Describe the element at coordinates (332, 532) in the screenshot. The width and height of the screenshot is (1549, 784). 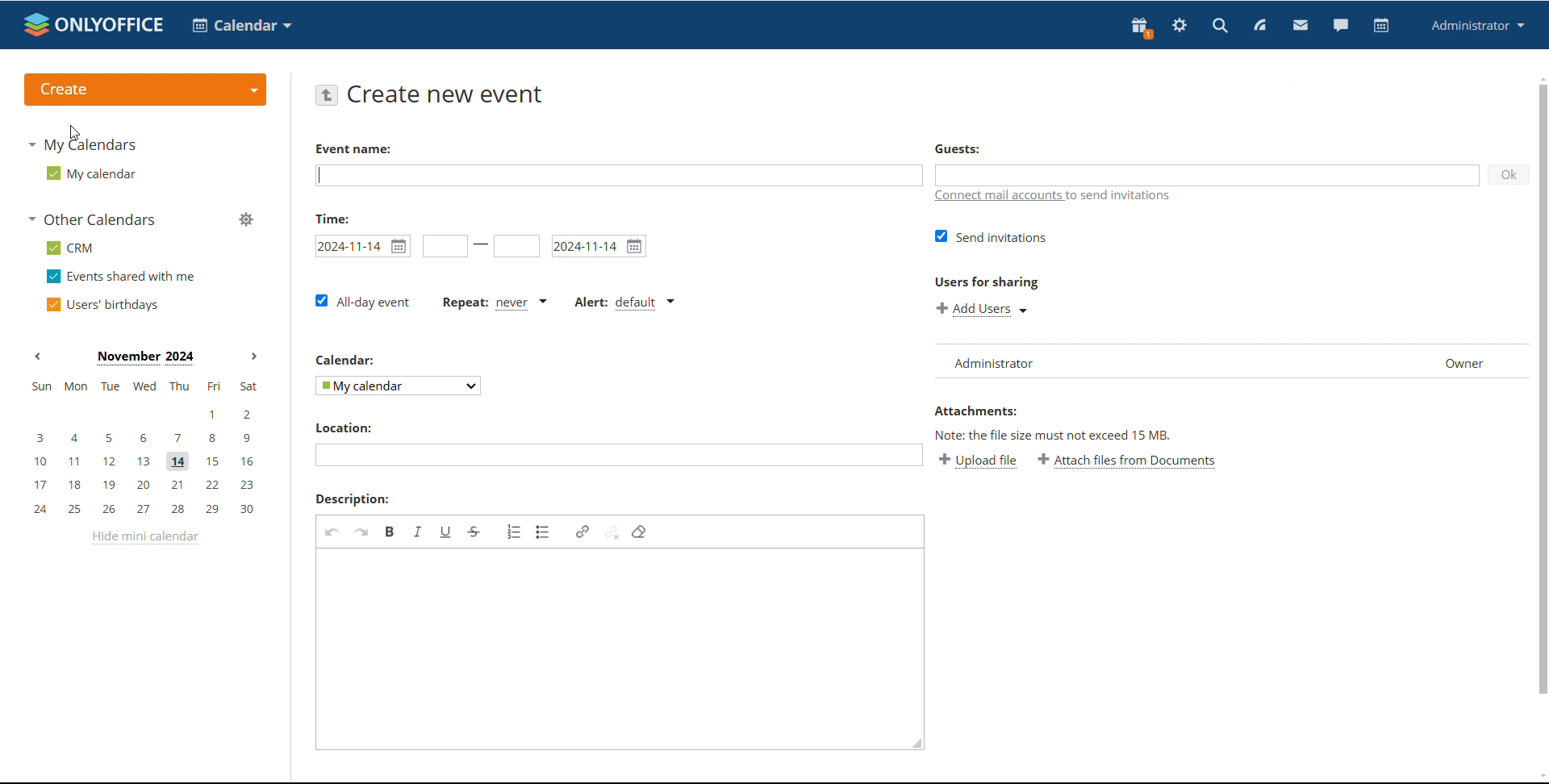
I see `undo` at that location.